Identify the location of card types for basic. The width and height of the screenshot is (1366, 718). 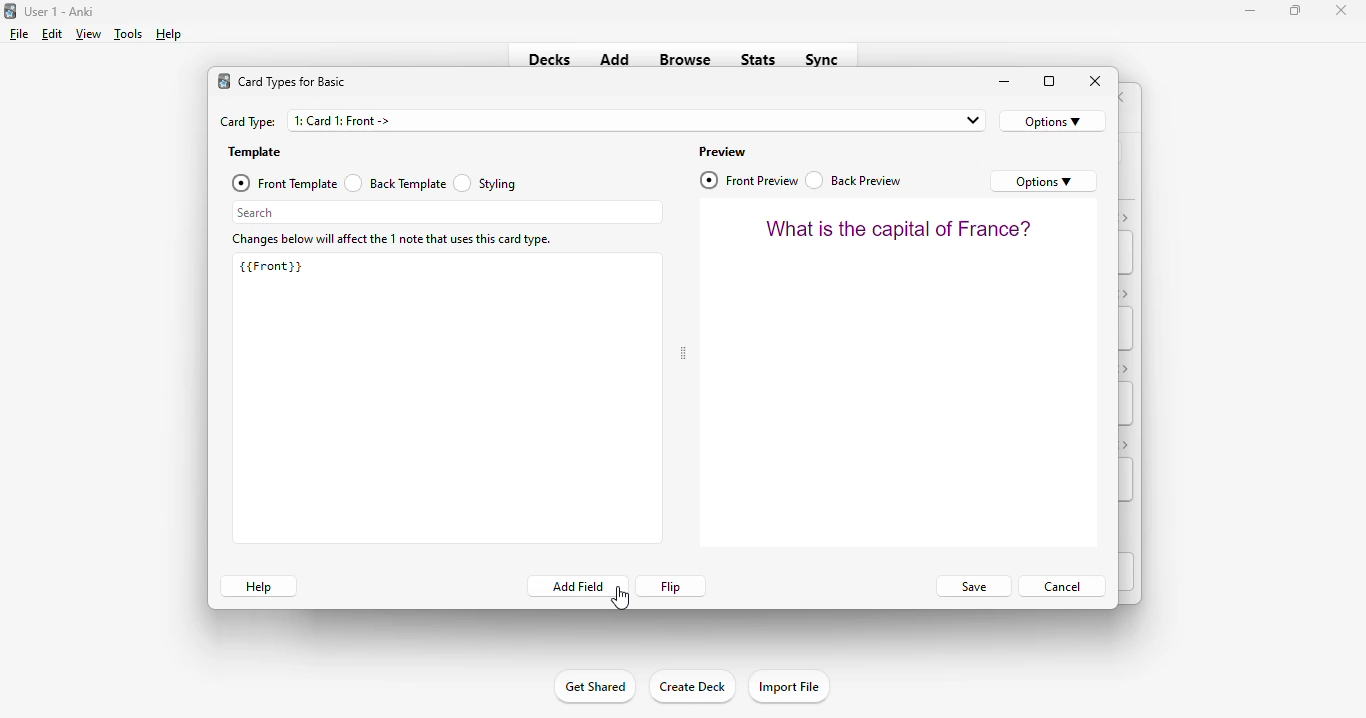
(292, 82).